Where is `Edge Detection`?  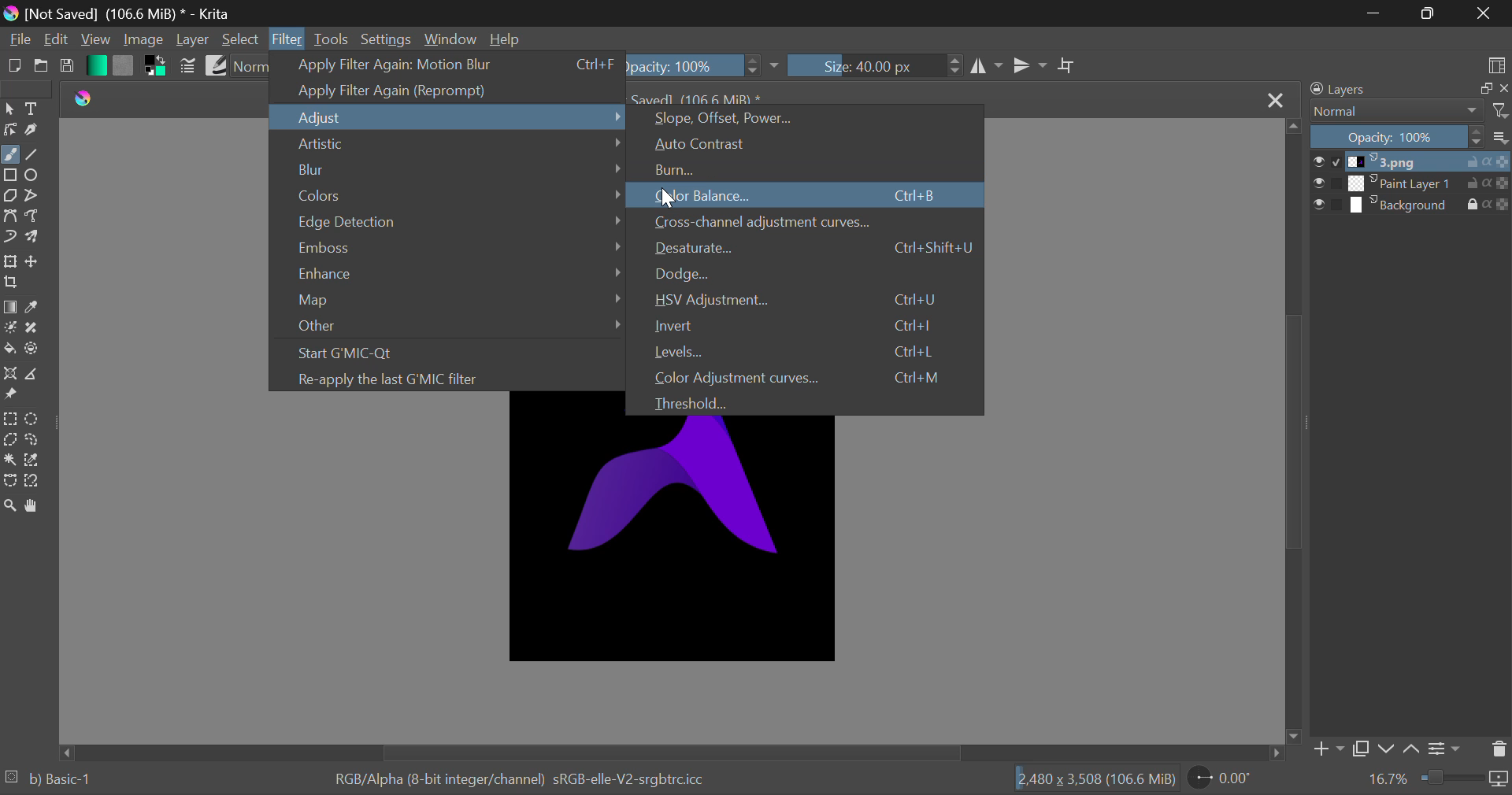
Edge Detection is located at coordinates (457, 219).